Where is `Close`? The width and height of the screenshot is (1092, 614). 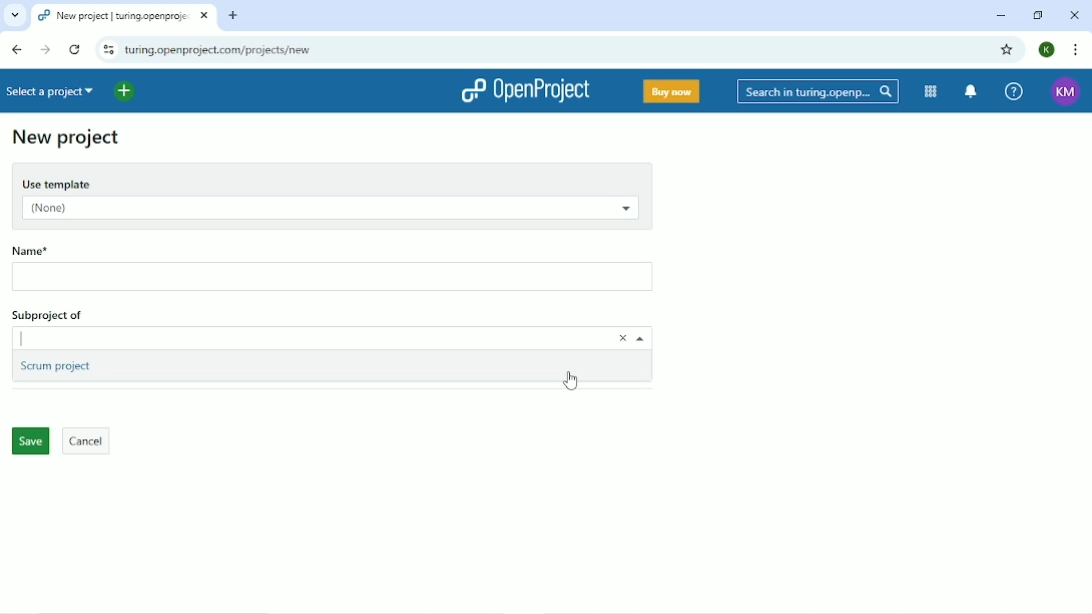 Close is located at coordinates (1074, 14).